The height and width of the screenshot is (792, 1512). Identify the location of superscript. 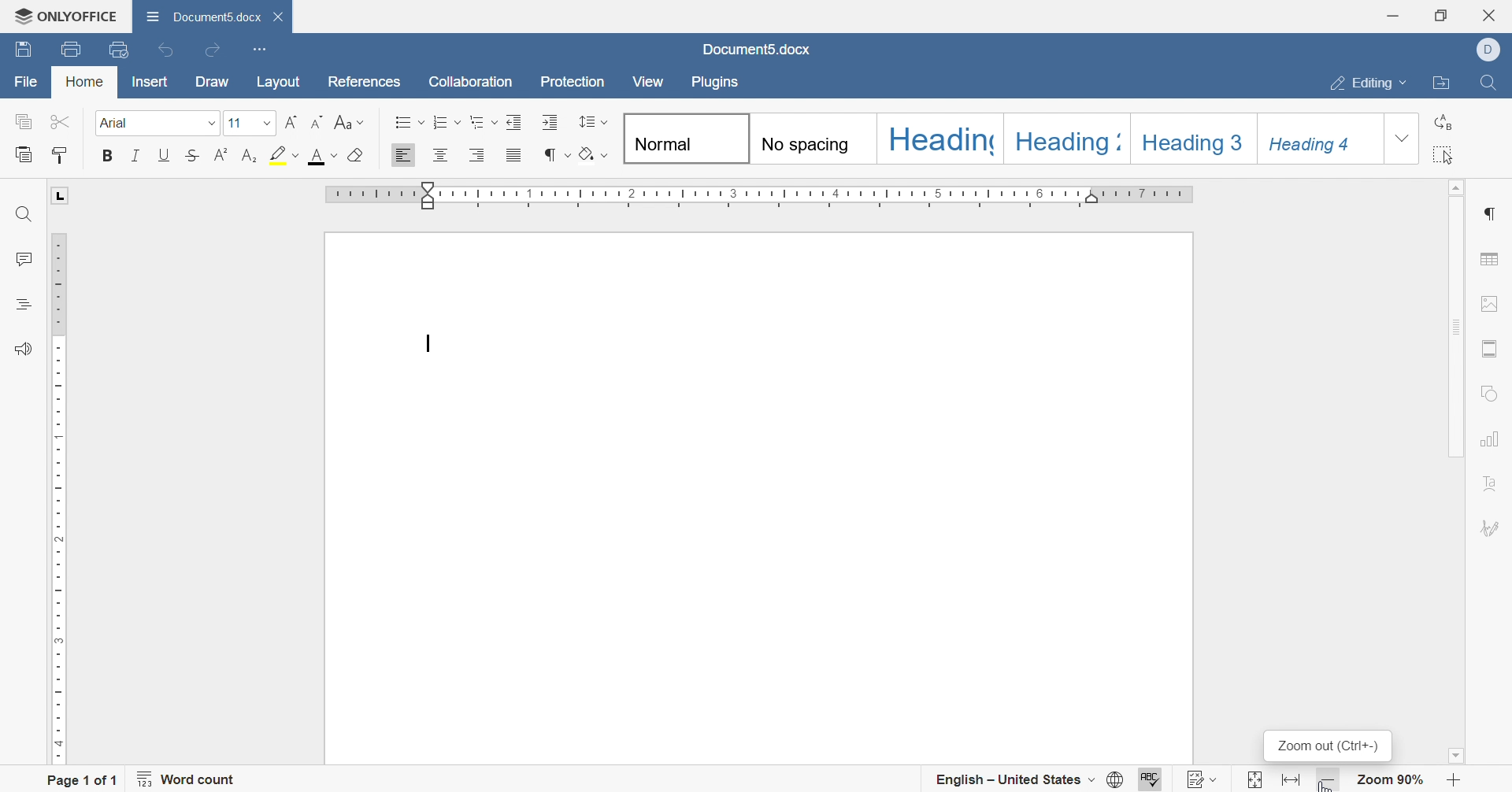
(220, 157).